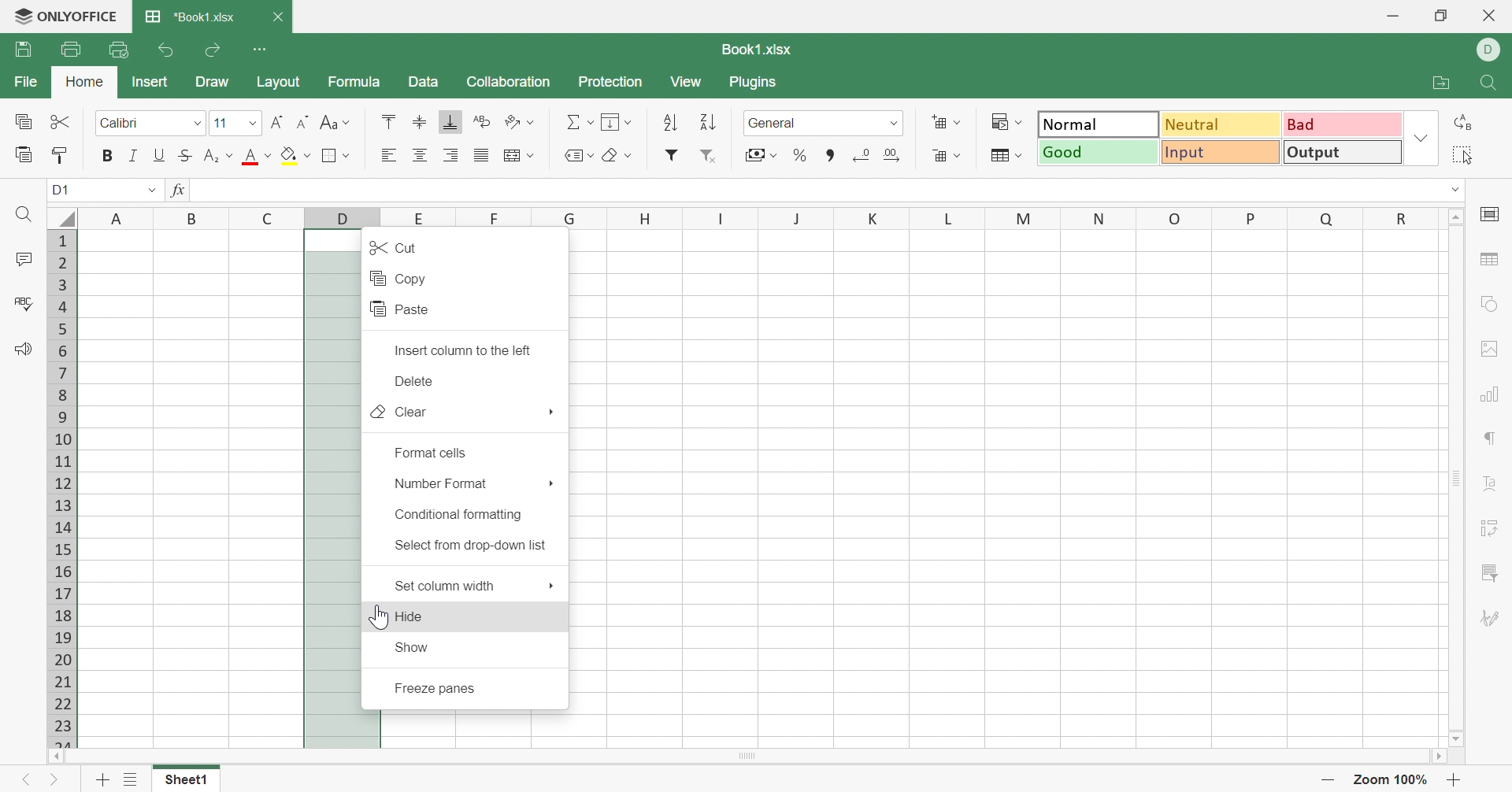 The height and width of the screenshot is (792, 1512). Describe the element at coordinates (1000, 157) in the screenshot. I see `Format as table template` at that location.